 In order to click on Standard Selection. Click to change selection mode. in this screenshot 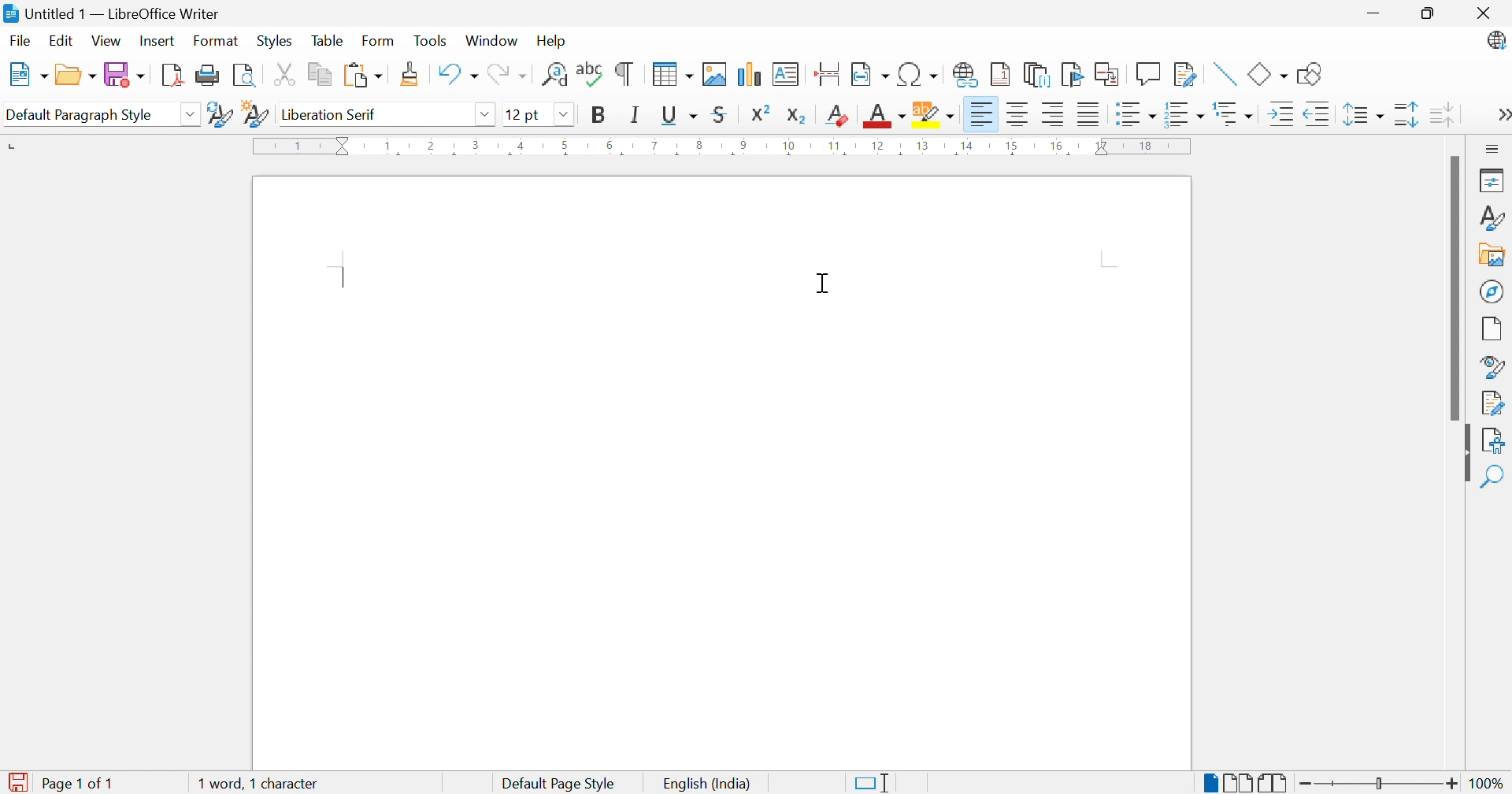, I will do `click(875, 783)`.